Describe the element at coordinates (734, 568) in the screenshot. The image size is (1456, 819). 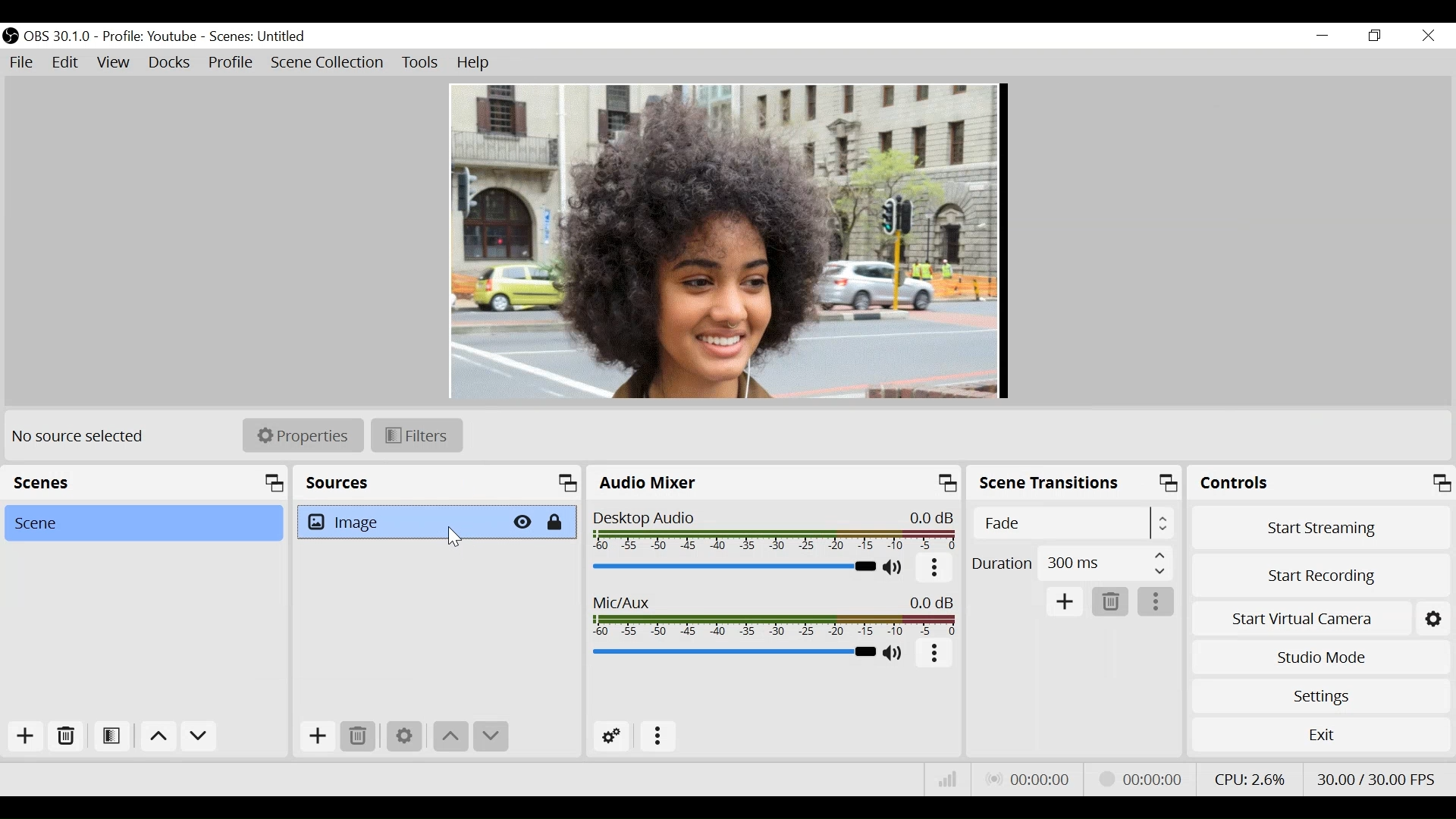
I see `Desktop Audio Slider` at that location.